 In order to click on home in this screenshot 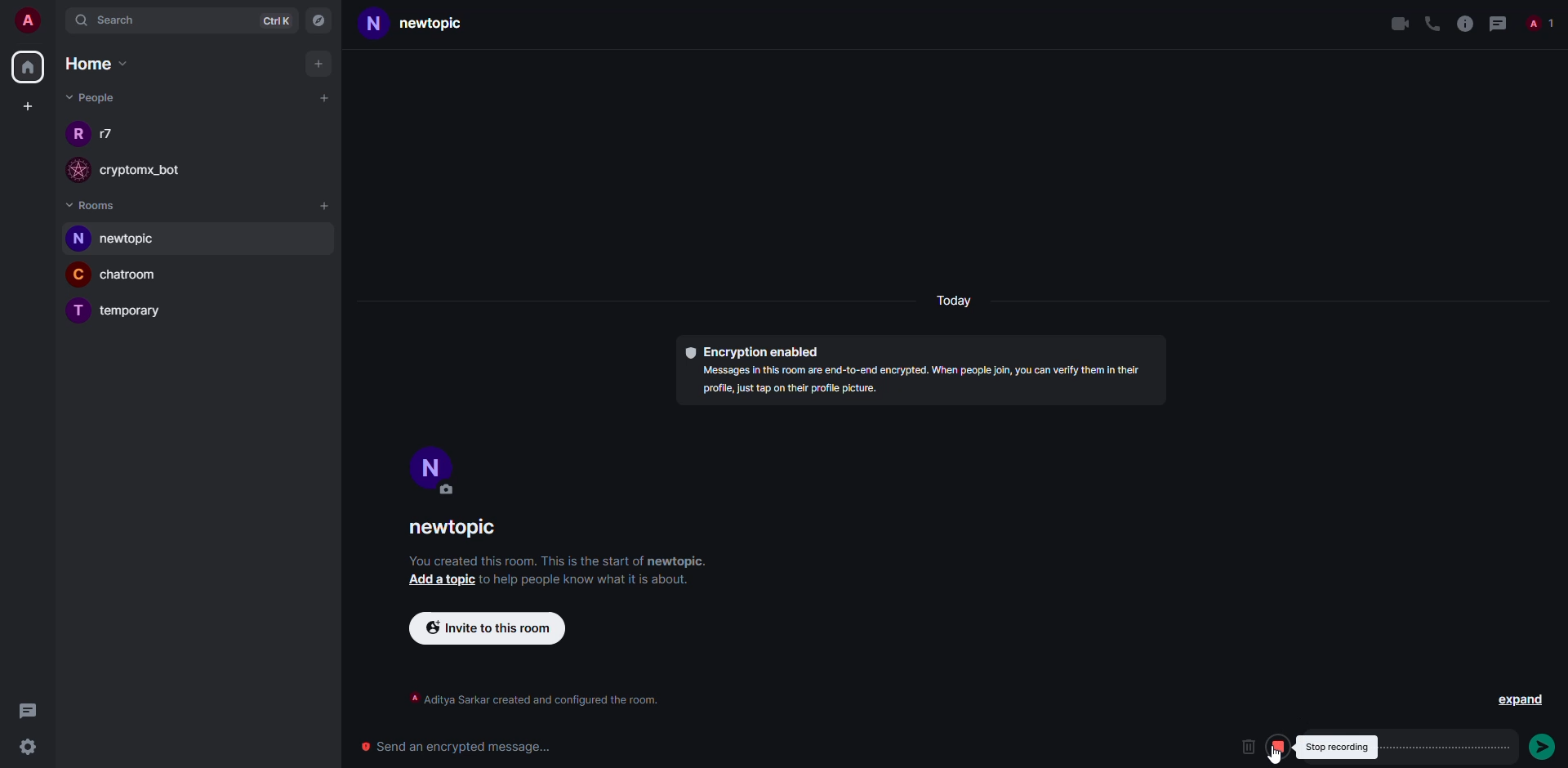, I will do `click(24, 69)`.